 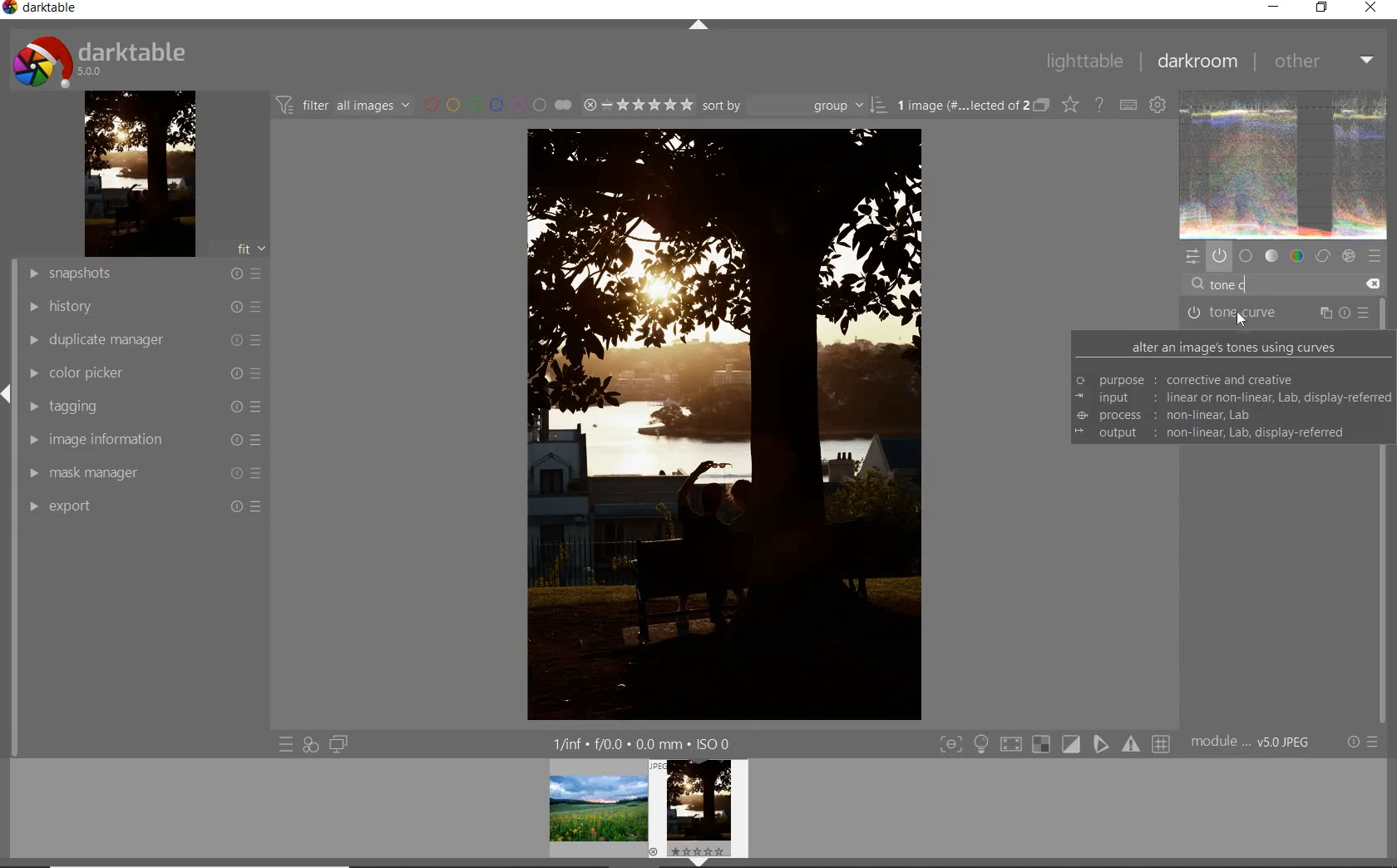 What do you see at coordinates (1246, 255) in the screenshot?
I see `base` at bounding box center [1246, 255].